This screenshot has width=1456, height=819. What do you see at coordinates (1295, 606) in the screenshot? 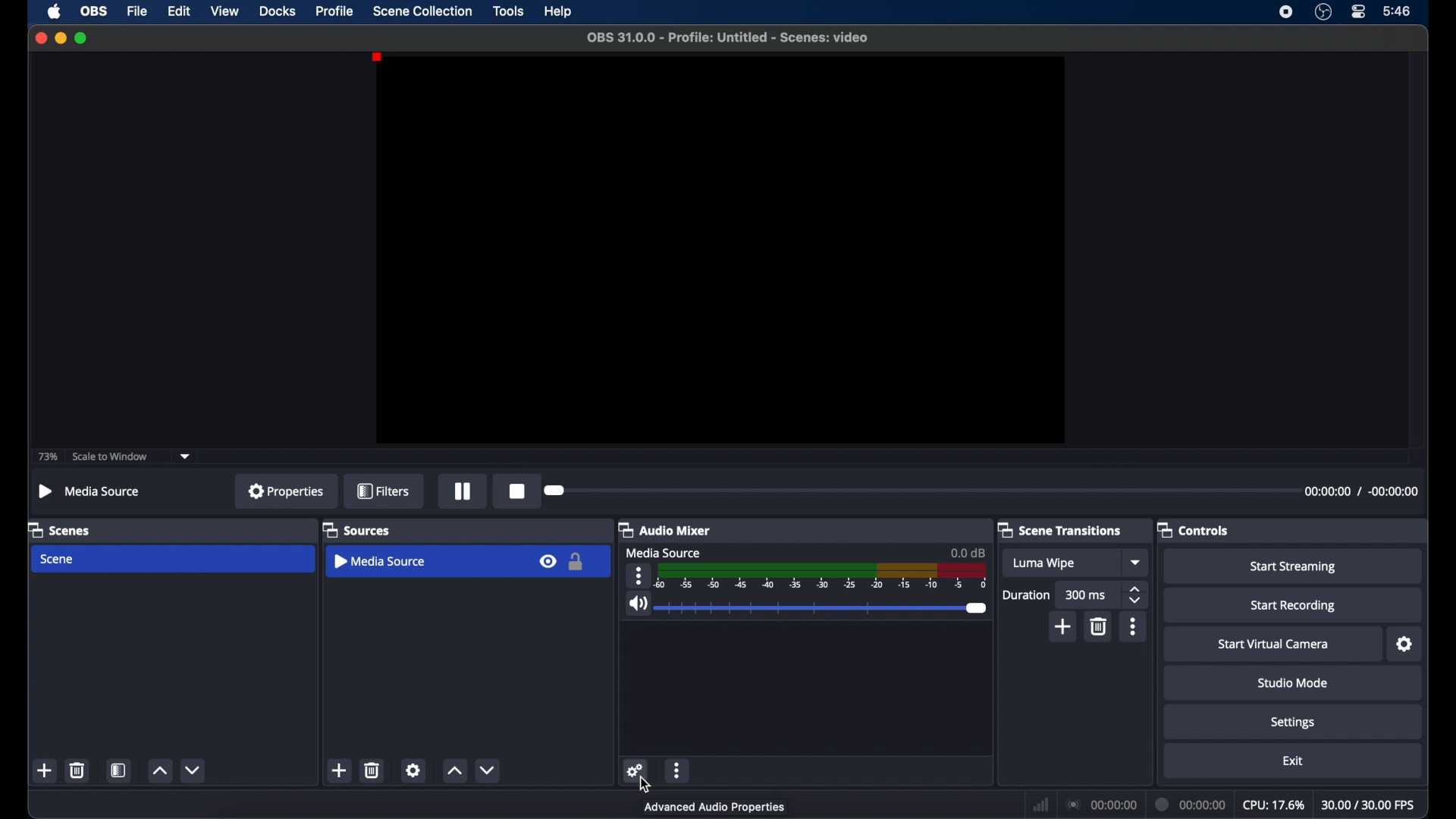
I see `start recording` at bounding box center [1295, 606].